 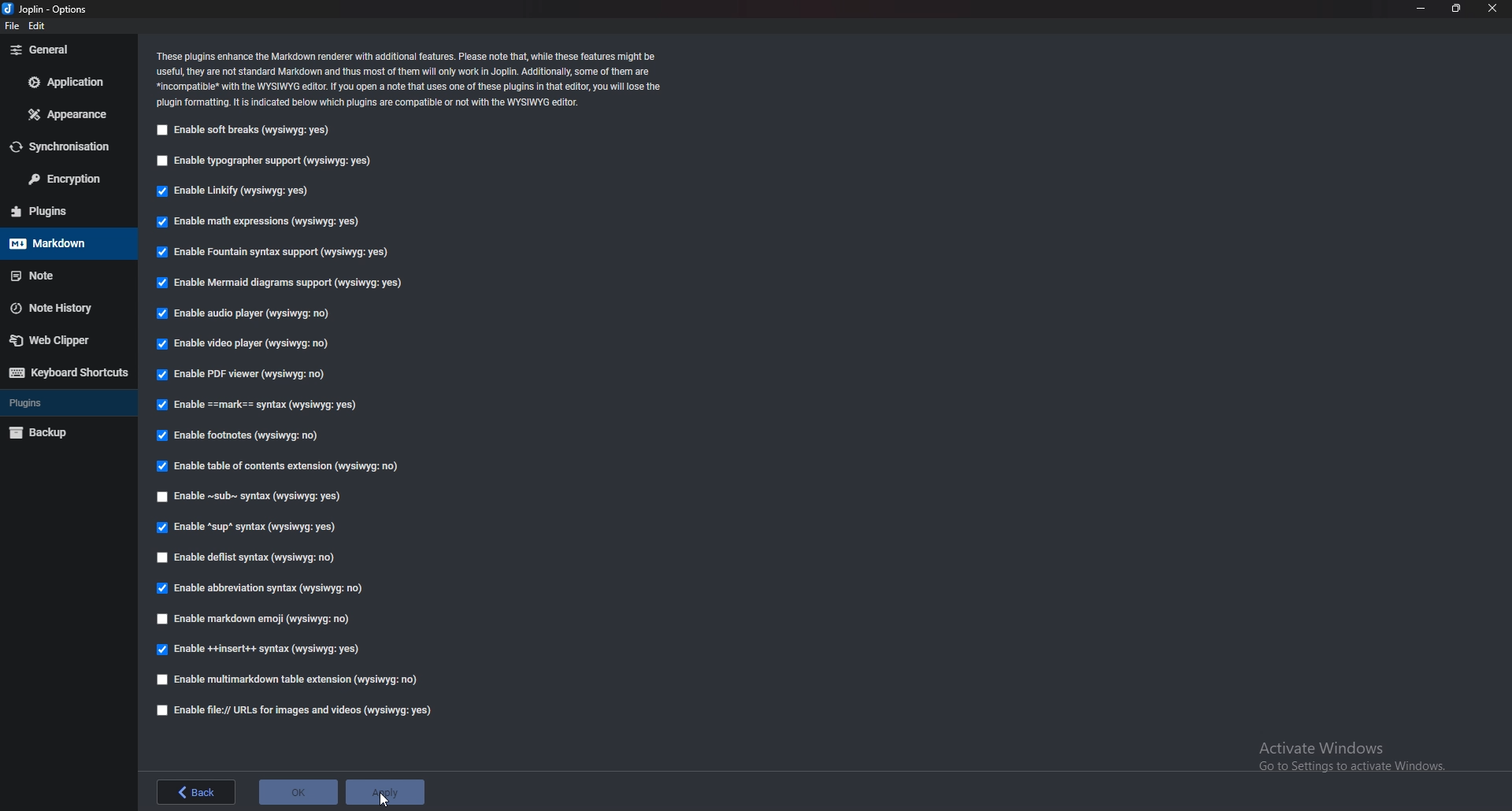 I want to click on Enable soft breaks, so click(x=247, y=131).